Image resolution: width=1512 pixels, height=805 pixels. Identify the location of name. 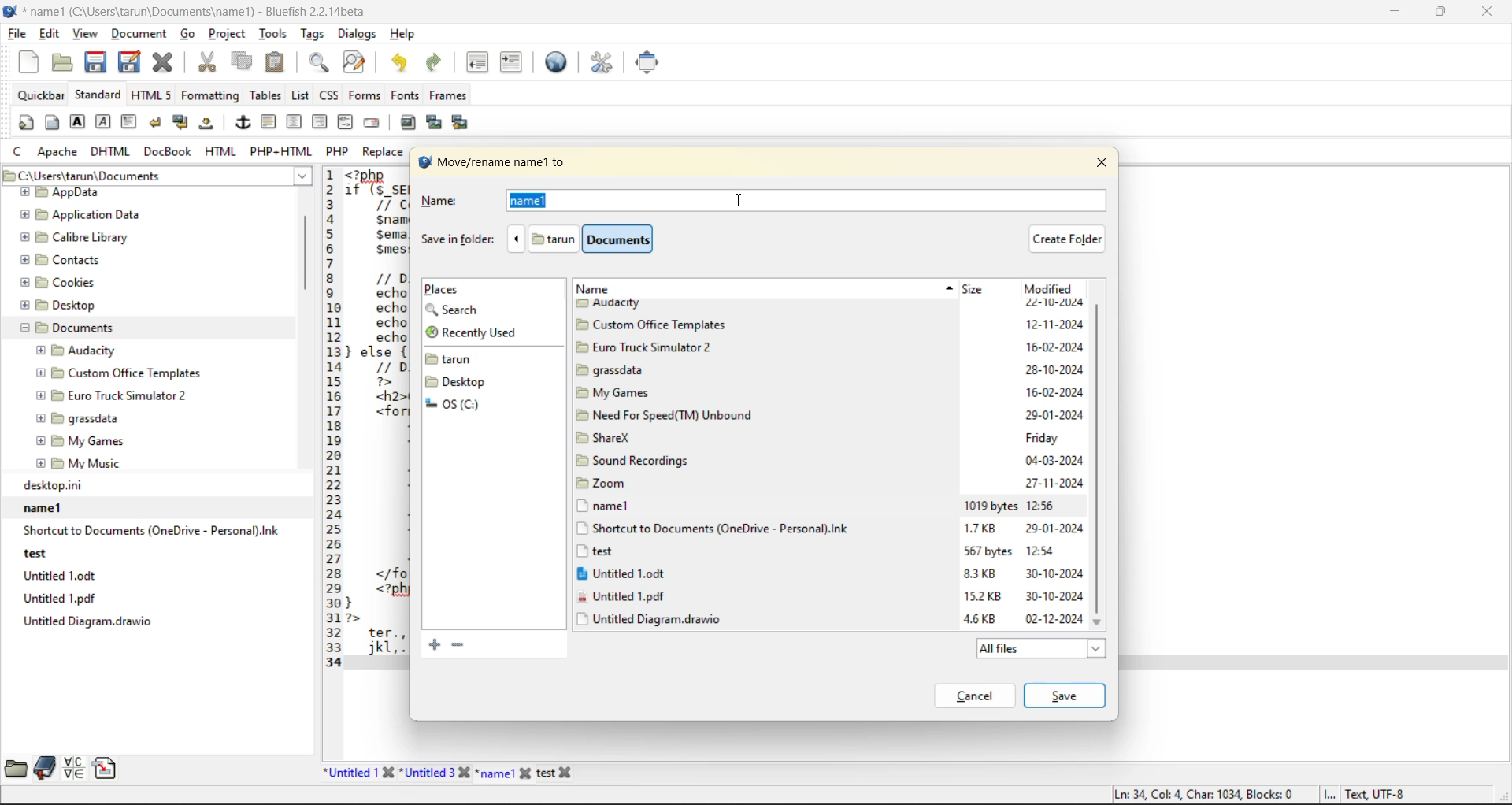
(602, 290).